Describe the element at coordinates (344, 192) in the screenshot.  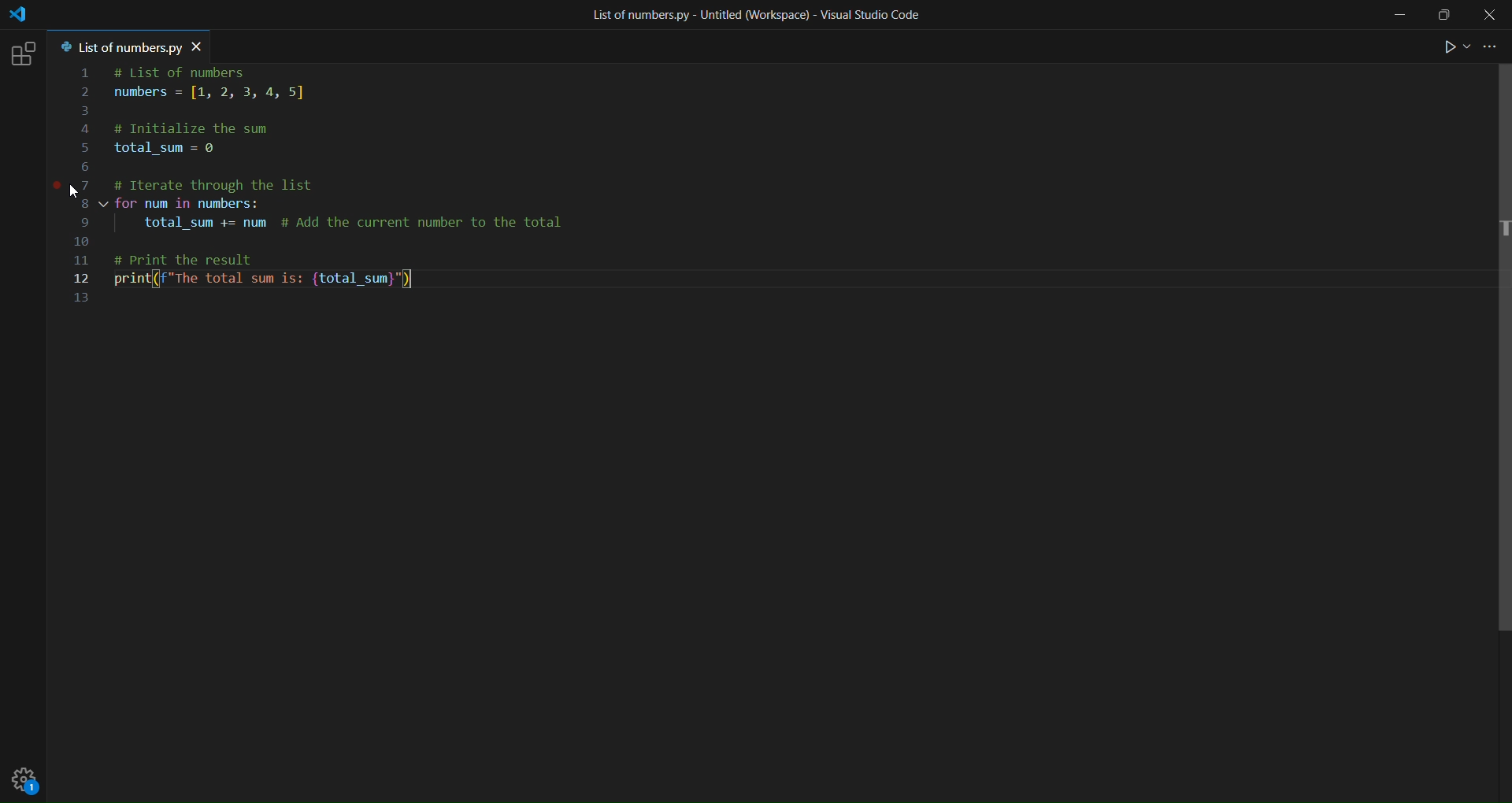
I see `code` at that location.